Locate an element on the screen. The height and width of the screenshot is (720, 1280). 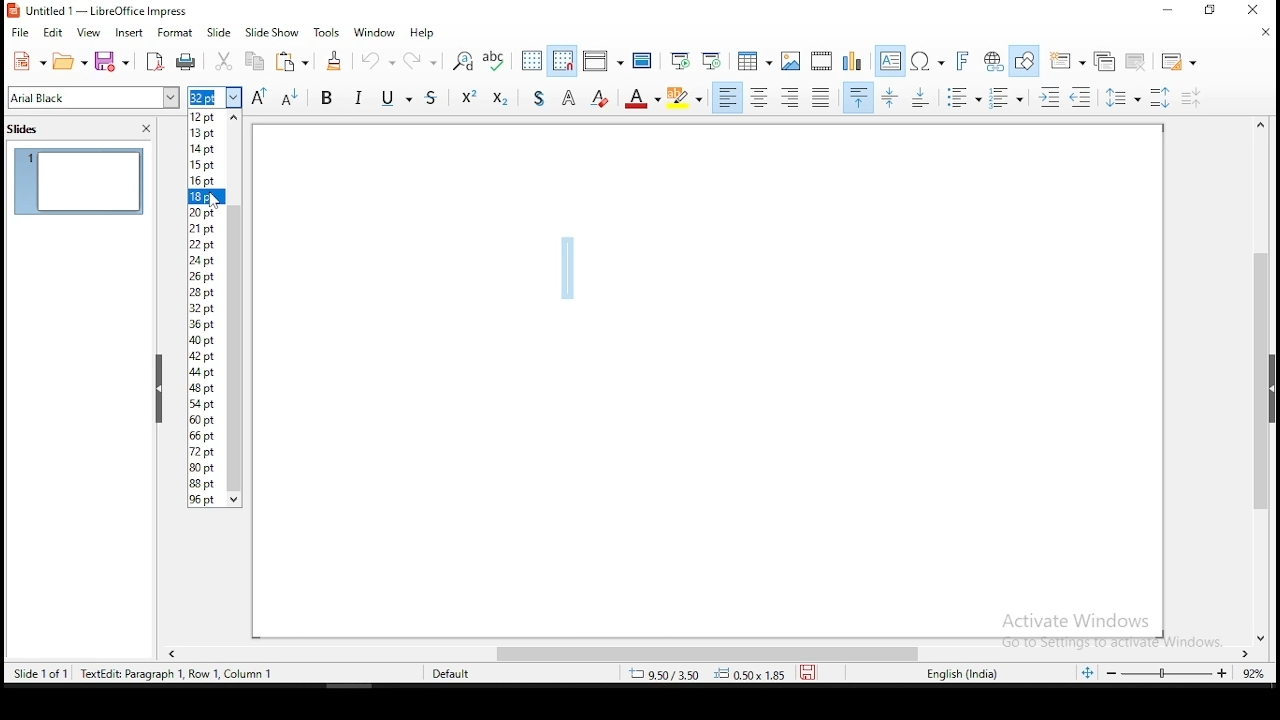
display views is located at coordinates (603, 60).